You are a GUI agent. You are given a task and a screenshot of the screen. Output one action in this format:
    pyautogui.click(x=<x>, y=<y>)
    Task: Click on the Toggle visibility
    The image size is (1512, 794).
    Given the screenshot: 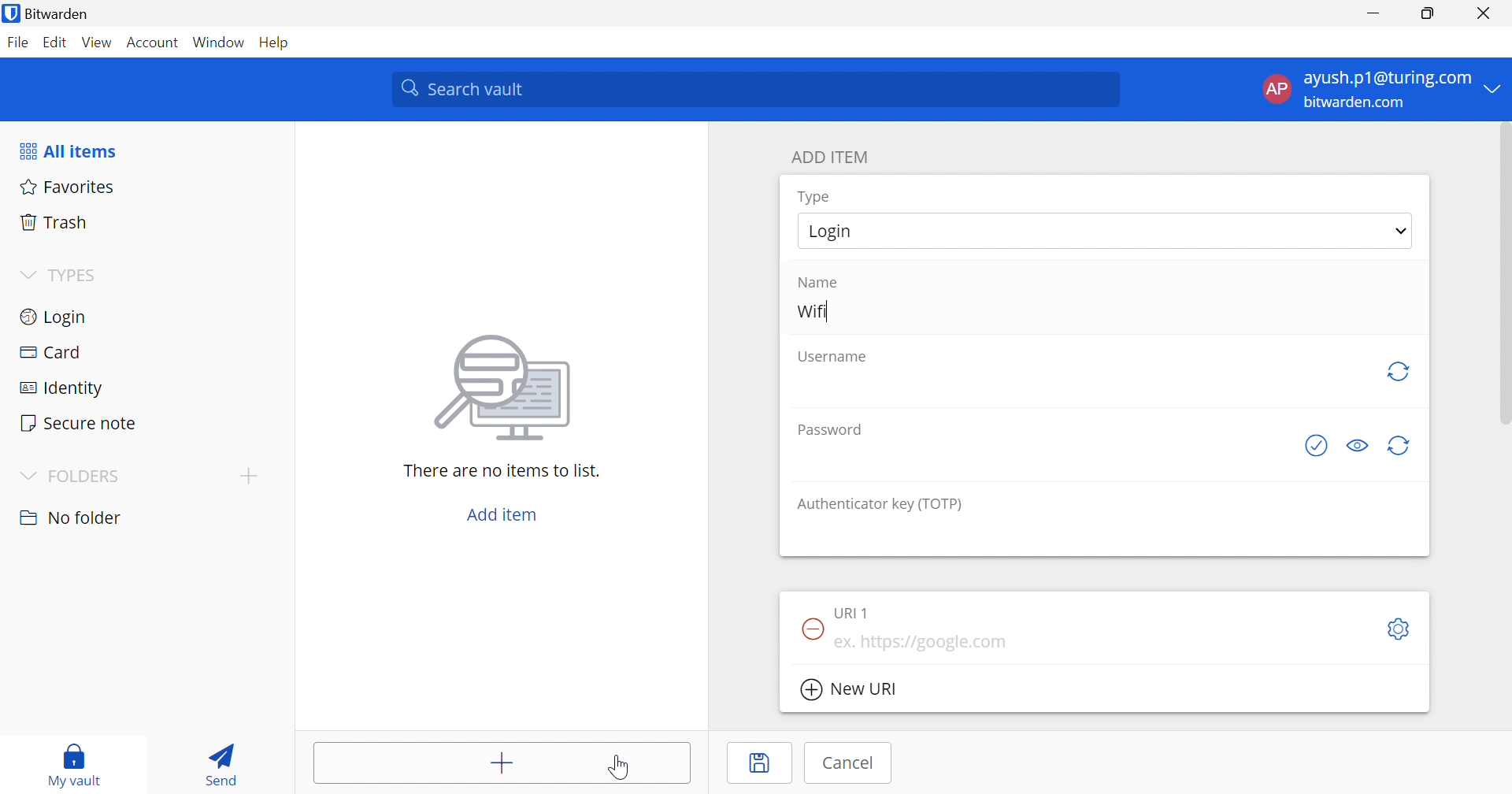 What is the action you would take?
    pyautogui.click(x=1359, y=446)
    